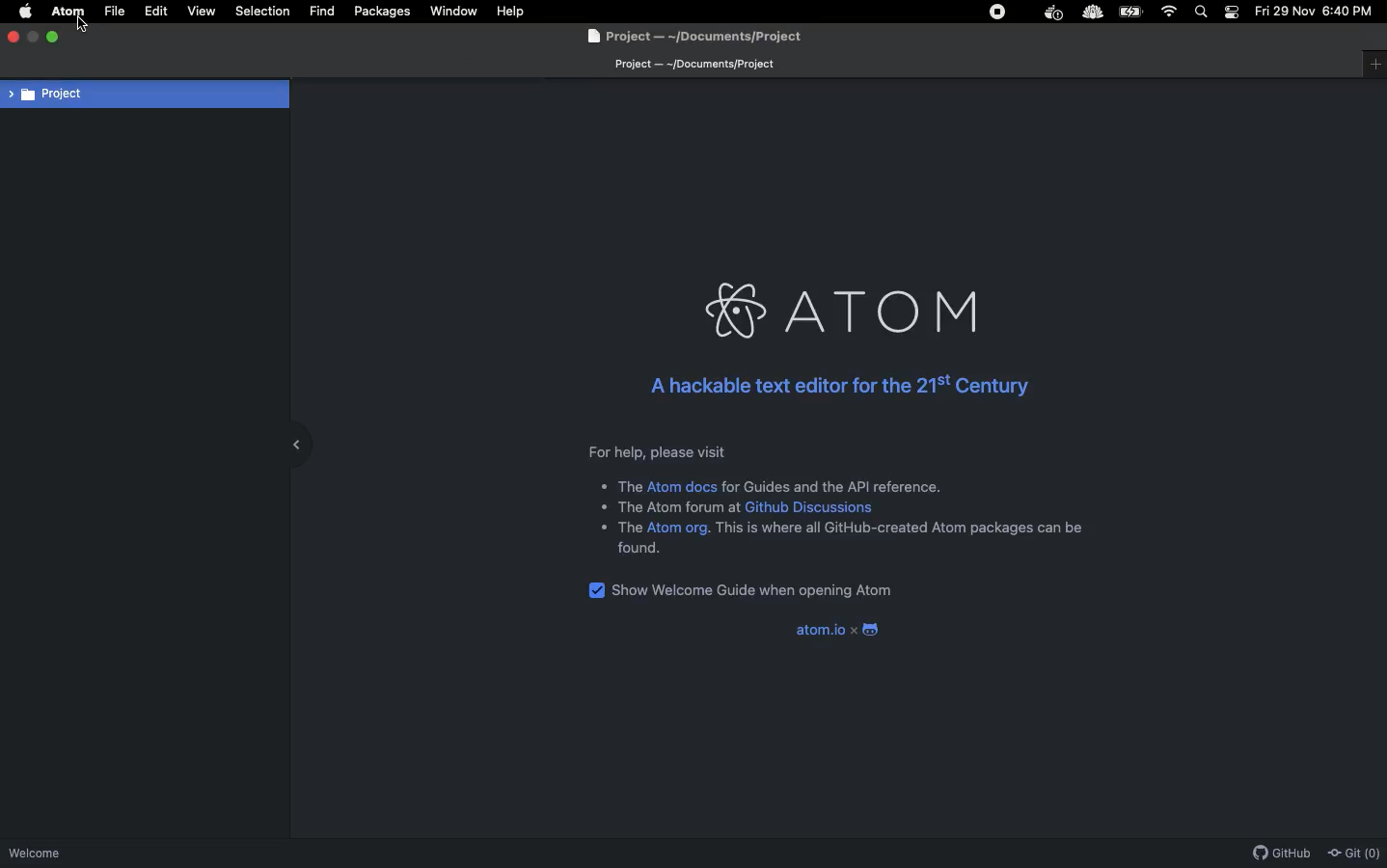 Image resolution: width=1387 pixels, height=868 pixels. What do you see at coordinates (673, 504) in the screenshot?
I see `The atom forum a` at bounding box center [673, 504].